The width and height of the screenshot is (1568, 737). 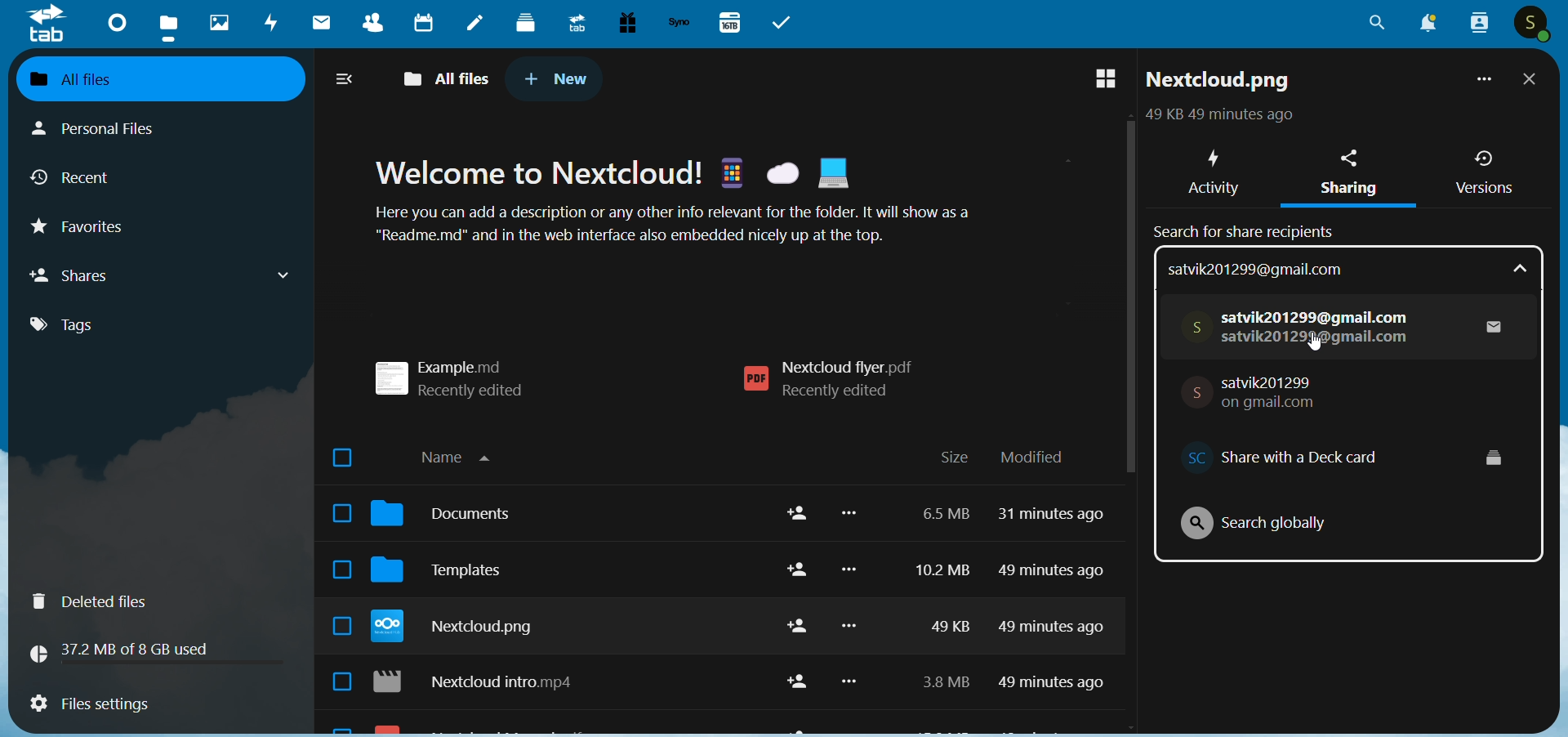 I want to click on select, so click(x=335, y=572).